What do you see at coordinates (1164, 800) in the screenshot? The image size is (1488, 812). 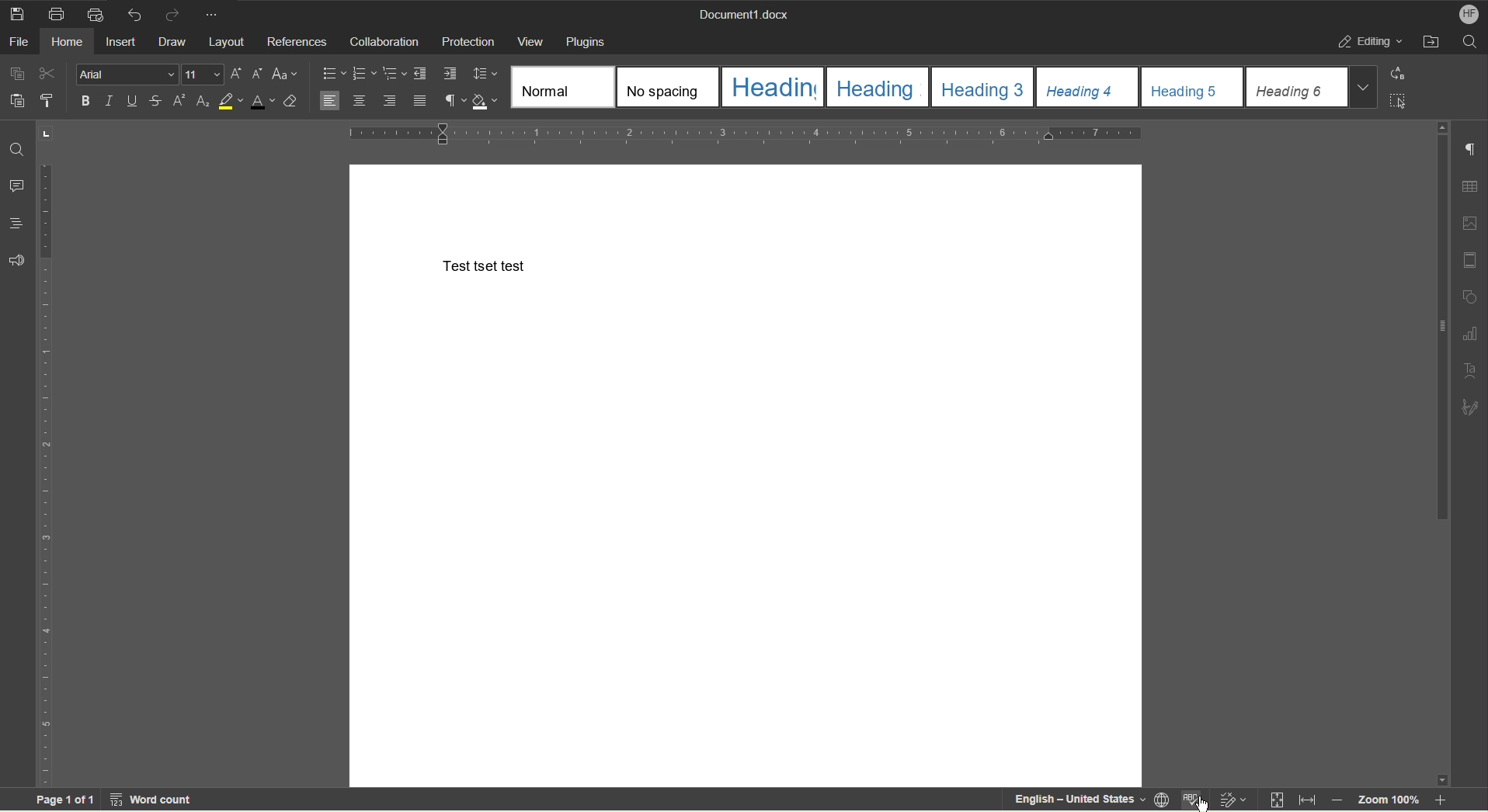 I see `Language` at bounding box center [1164, 800].